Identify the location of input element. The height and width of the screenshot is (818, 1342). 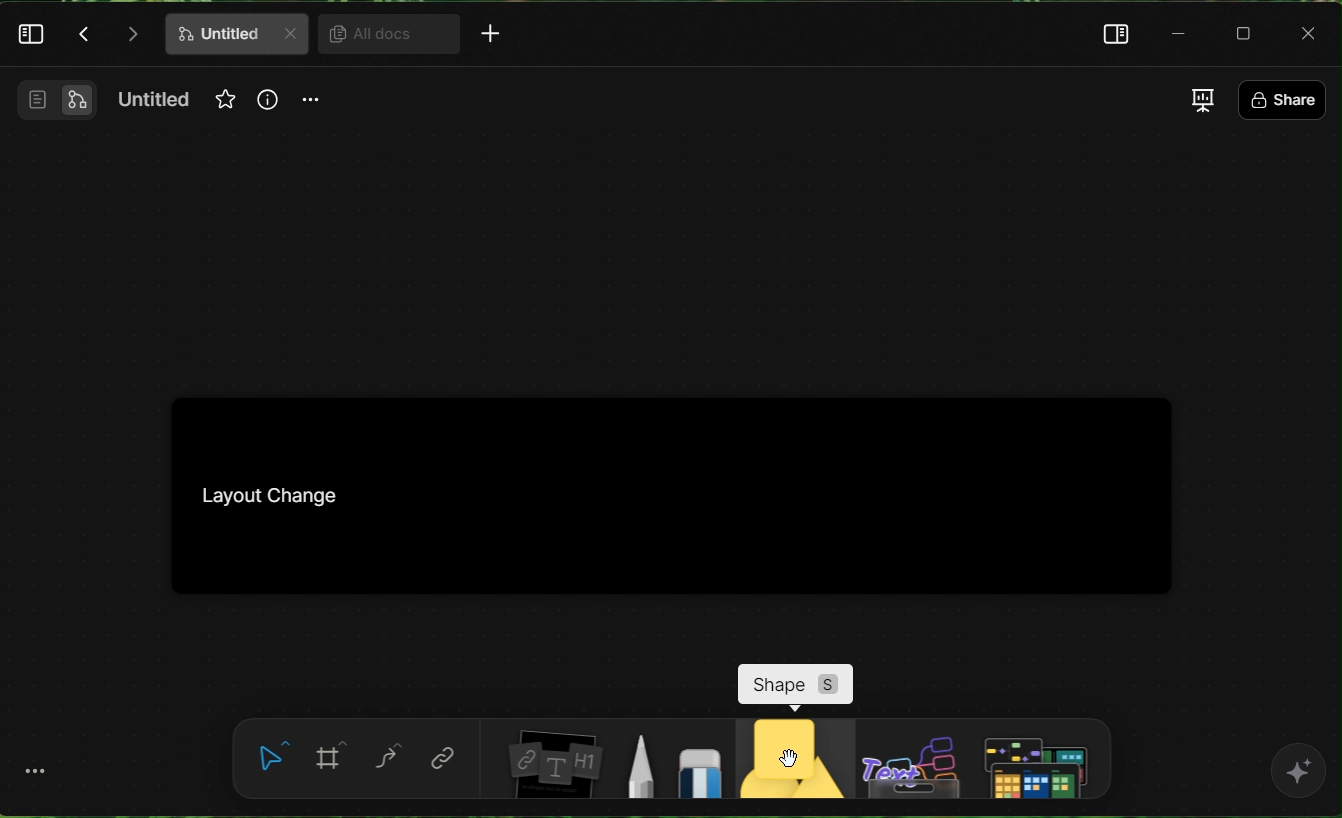
(1042, 760).